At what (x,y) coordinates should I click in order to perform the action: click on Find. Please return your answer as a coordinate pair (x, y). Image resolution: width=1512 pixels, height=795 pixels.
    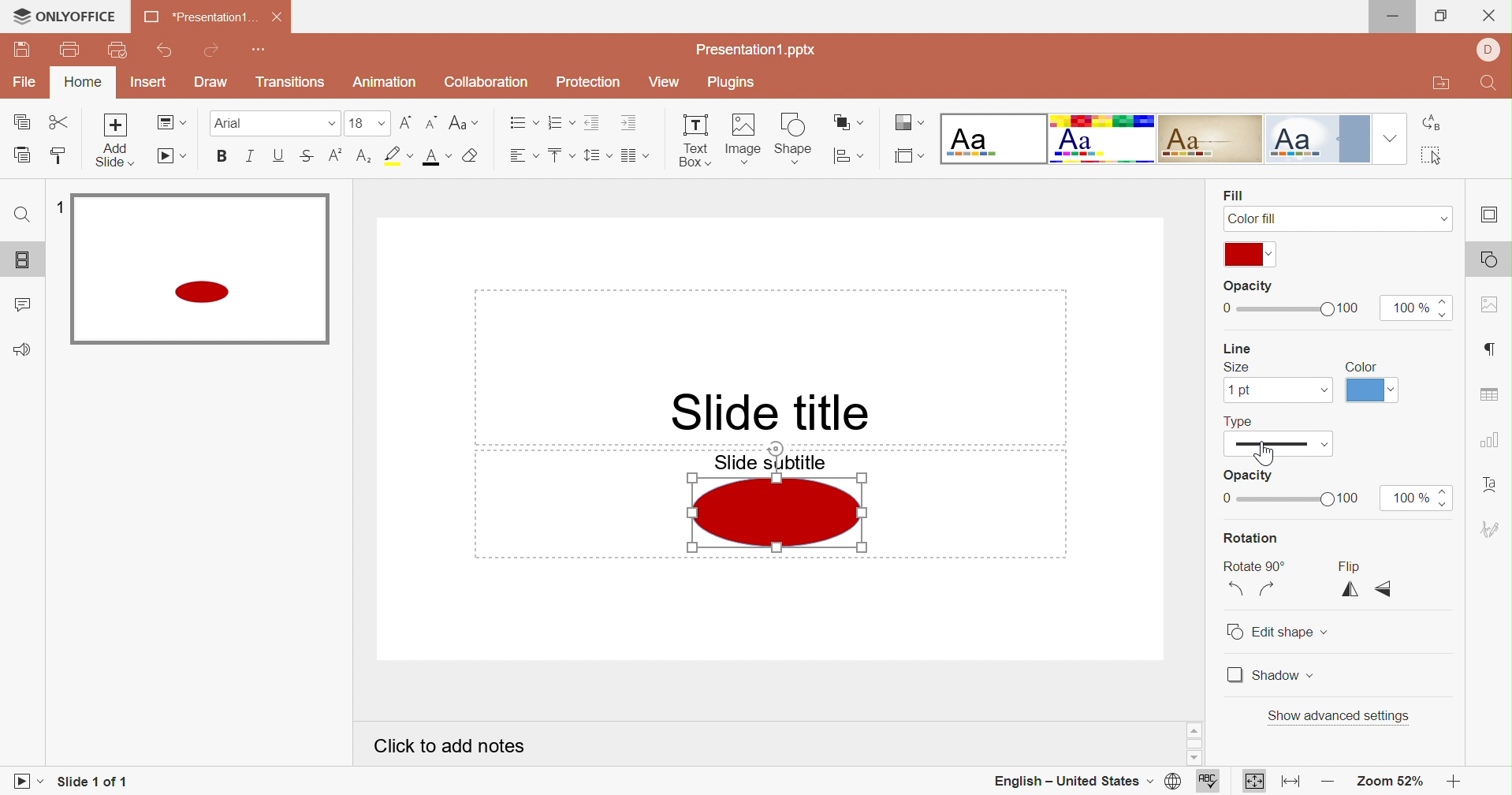
    Looking at the image, I should click on (1489, 85).